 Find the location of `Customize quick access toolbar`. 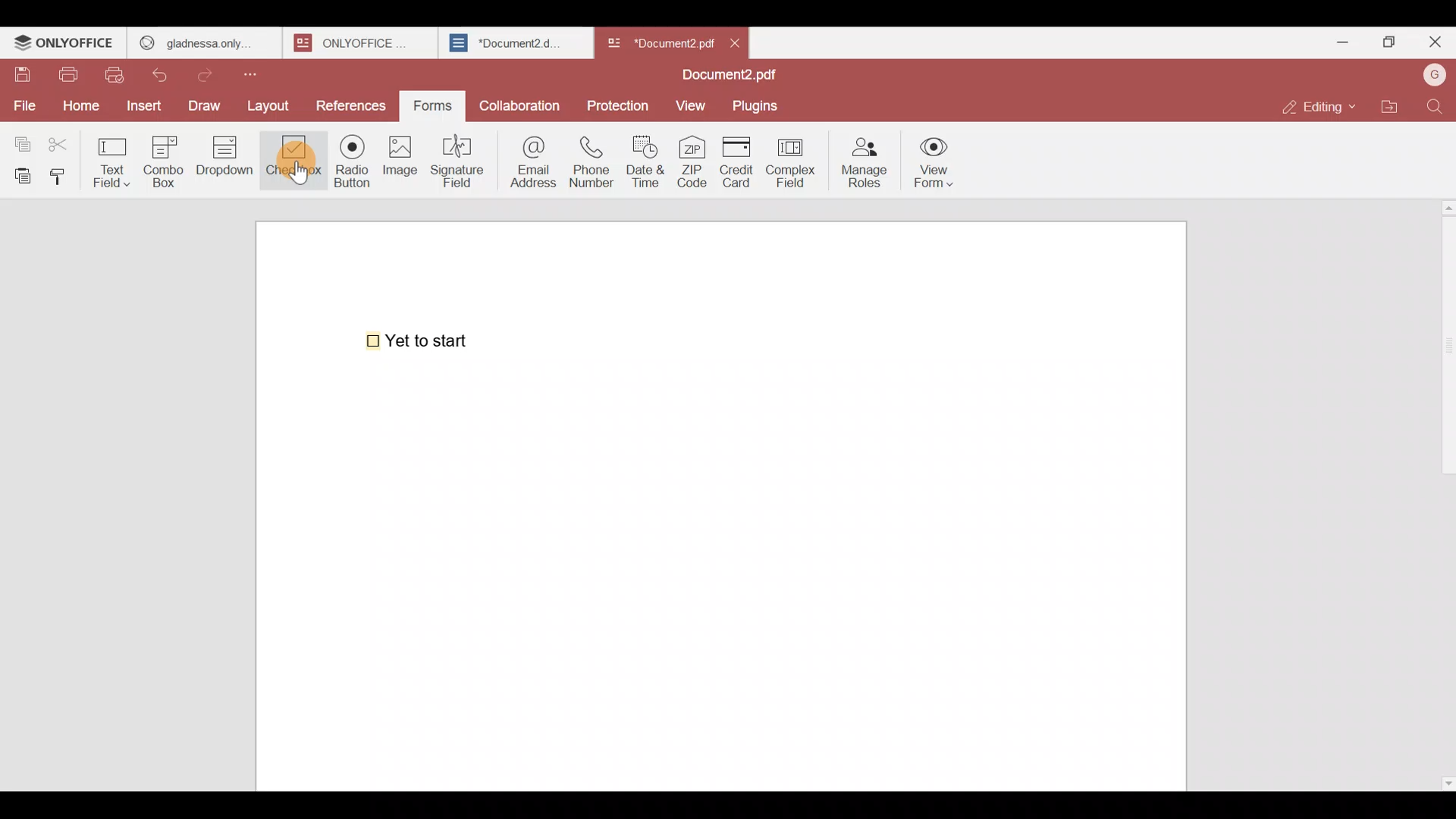

Customize quick access toolbar is located at coordinates (263, 71).